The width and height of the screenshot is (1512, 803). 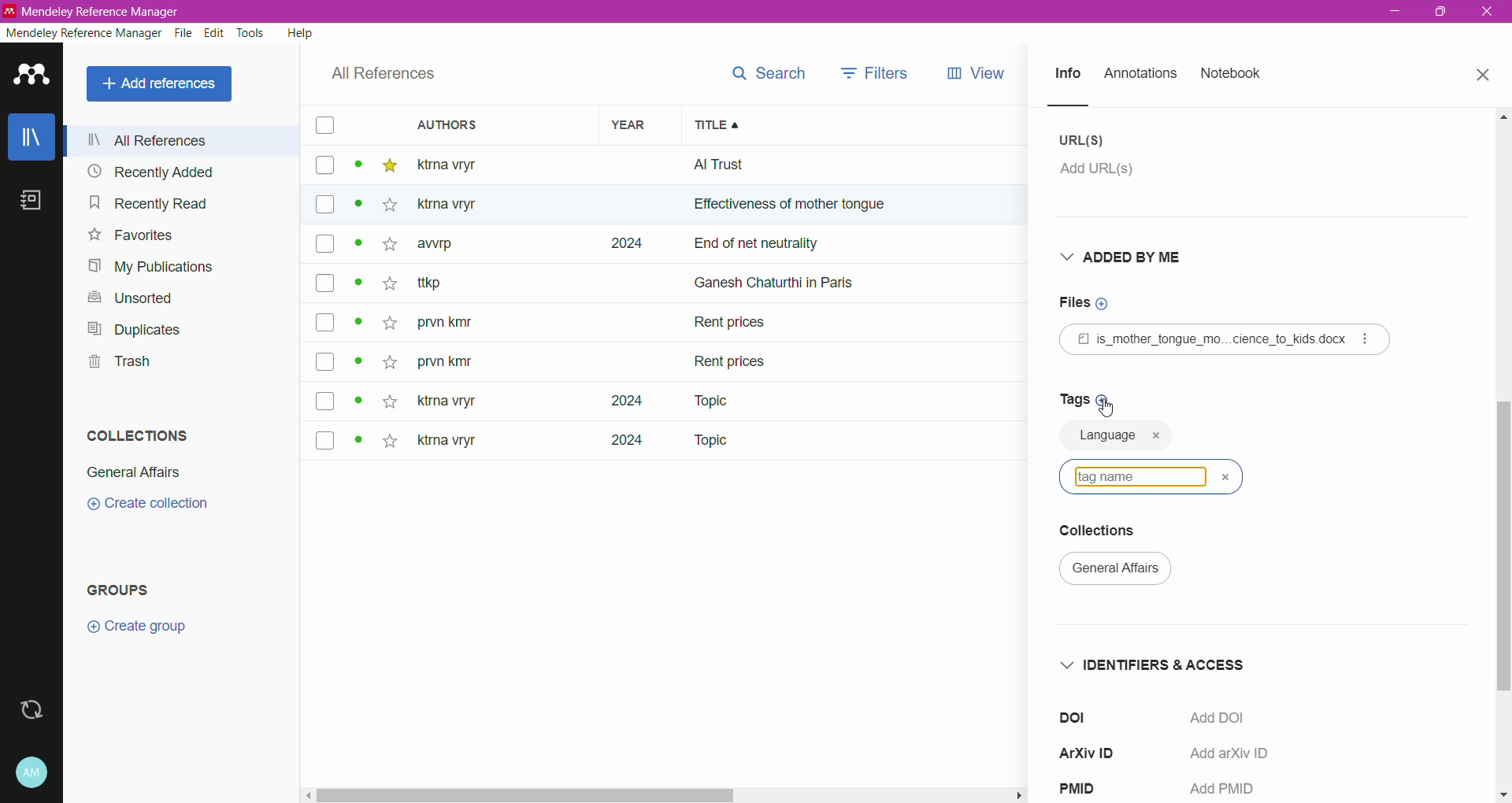 I want to click on PMID, so click(x=1088, y=790).